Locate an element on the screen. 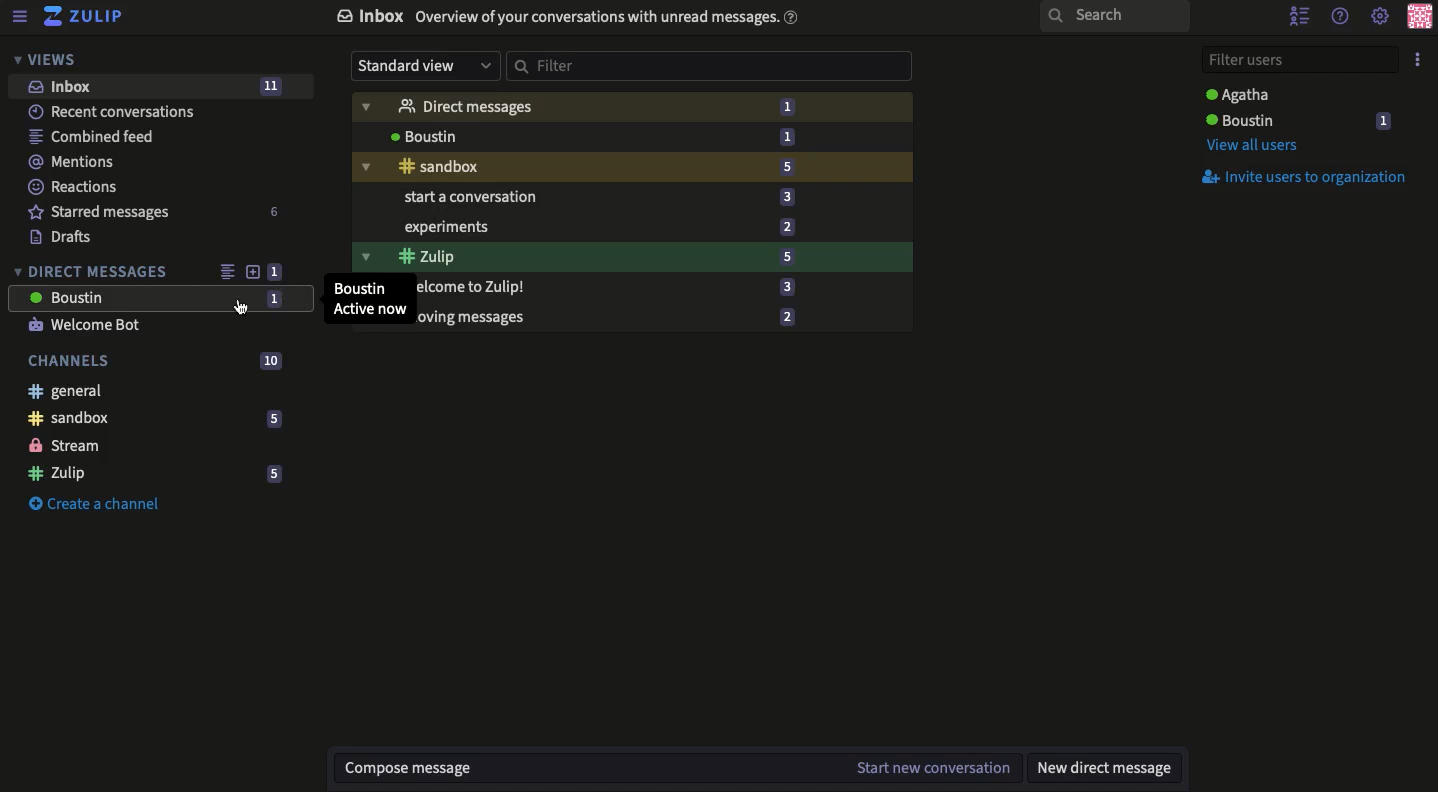 This screenshot has width=1438, height=792. Drafts is located at coordinates (59, 238).